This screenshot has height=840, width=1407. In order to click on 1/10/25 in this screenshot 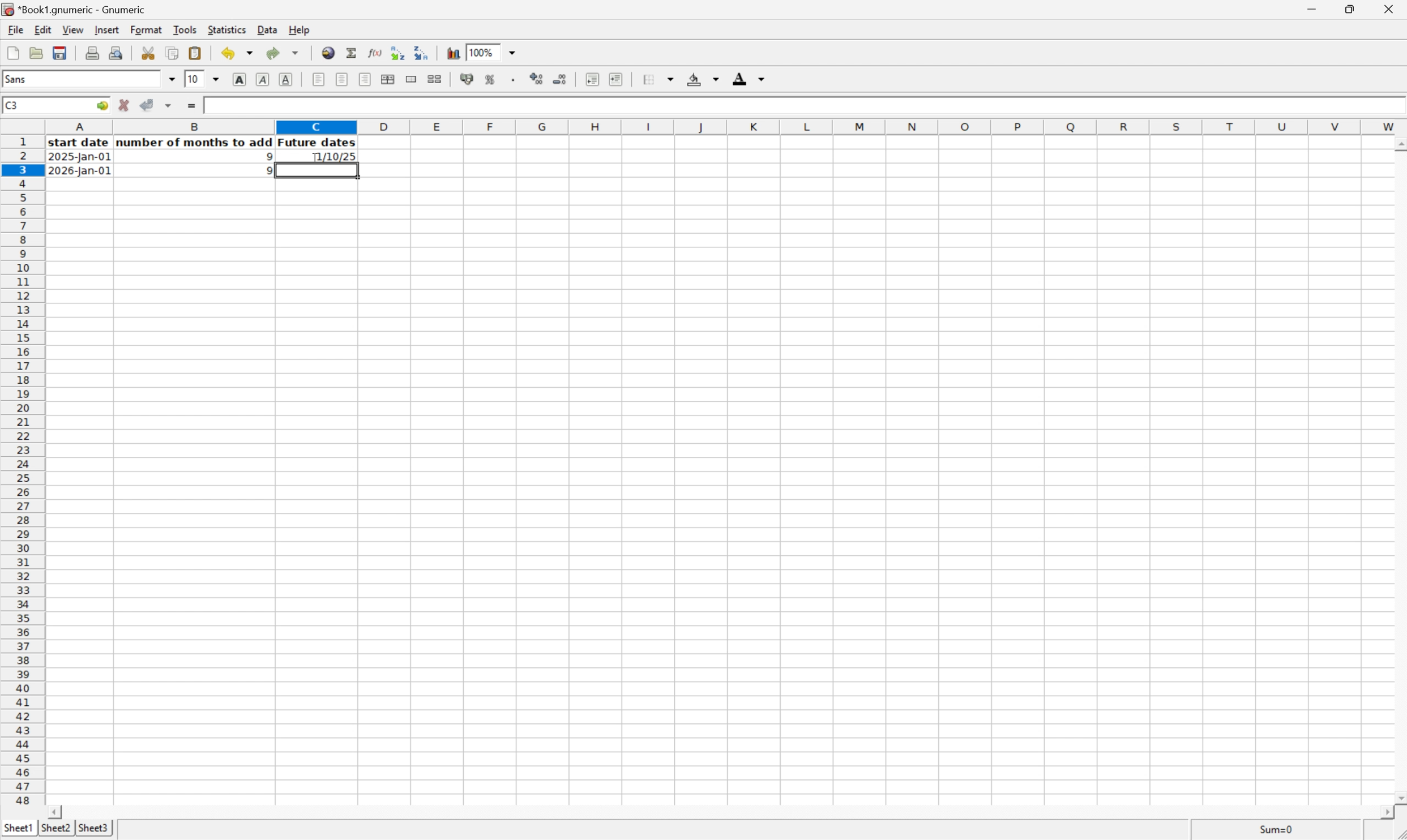, I will do `click(332, 157)`.